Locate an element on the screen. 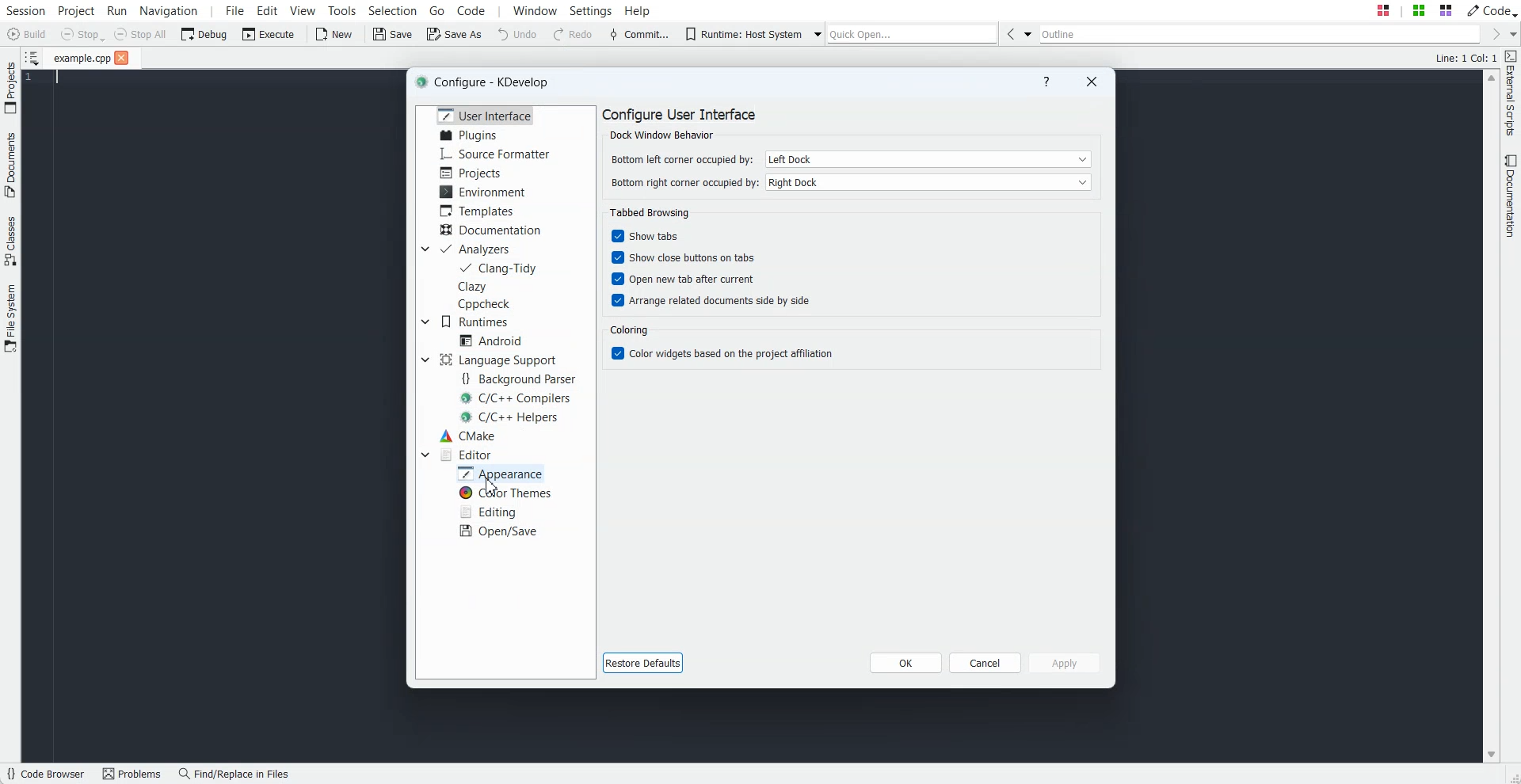 The width and height of the screenshot is (1521, 784). Text is located at coordinates (651, 212).